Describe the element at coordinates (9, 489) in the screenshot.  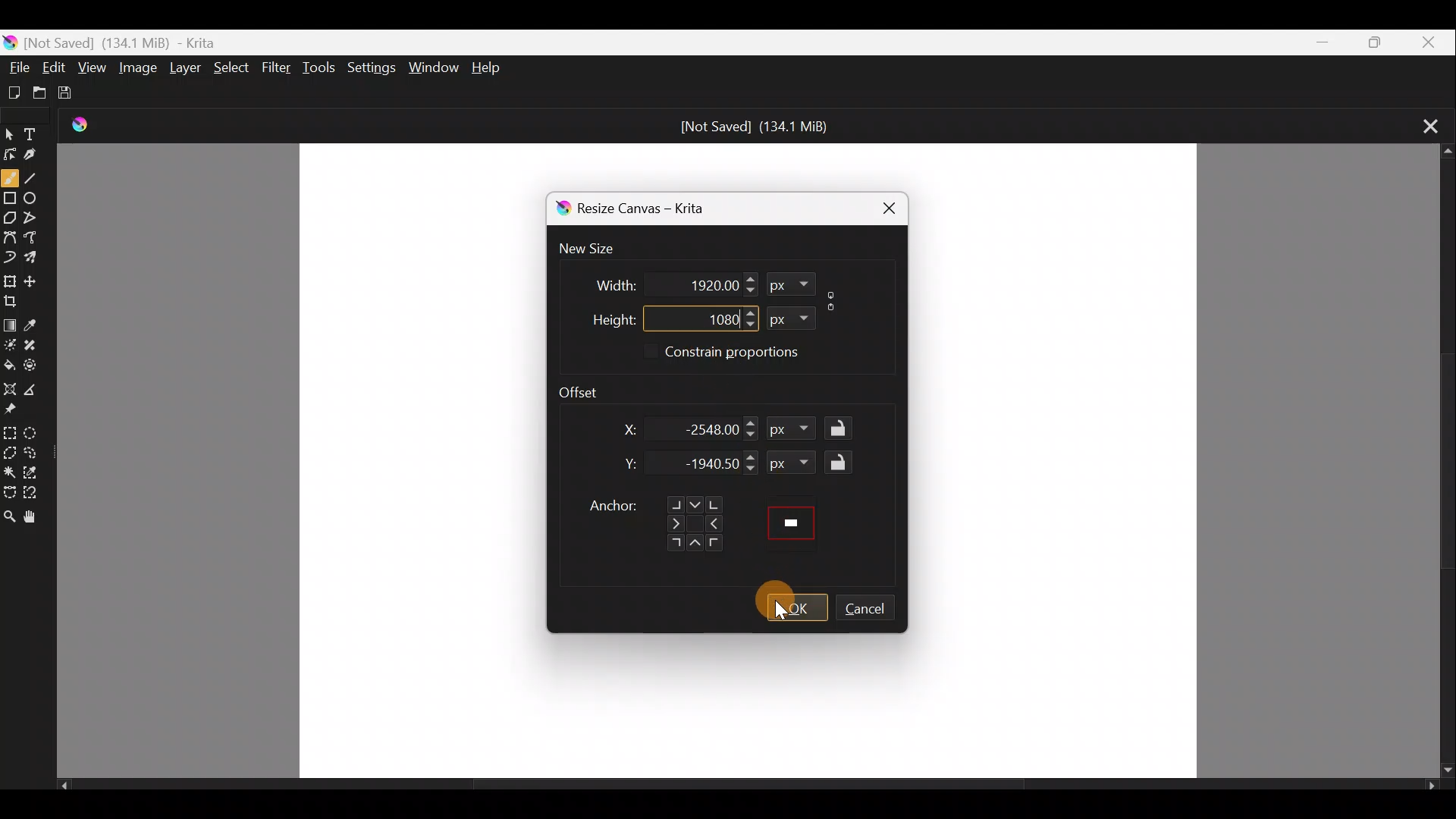
I see `Bezier curve selection tool` at that location.